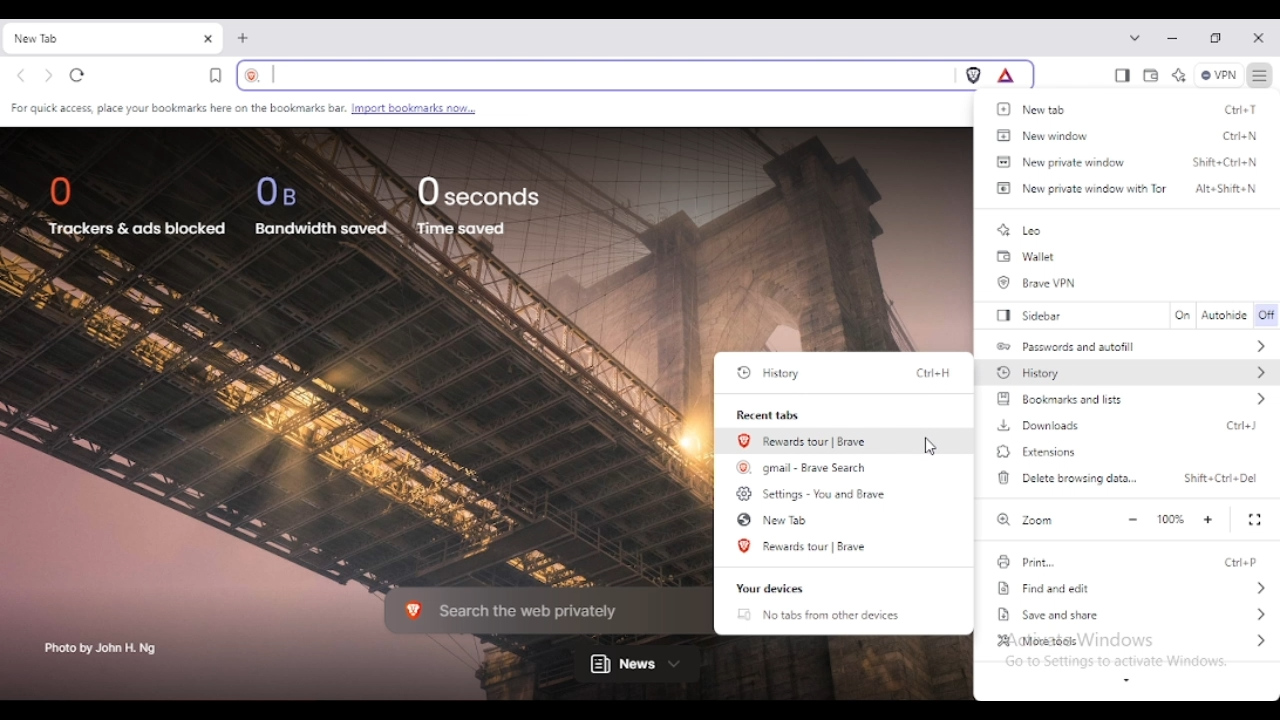 The image size is (1280, 720). What do you see at coordinates (1025, 562) in the screenshot?
I see `print` at bounding box center [1025, 562].